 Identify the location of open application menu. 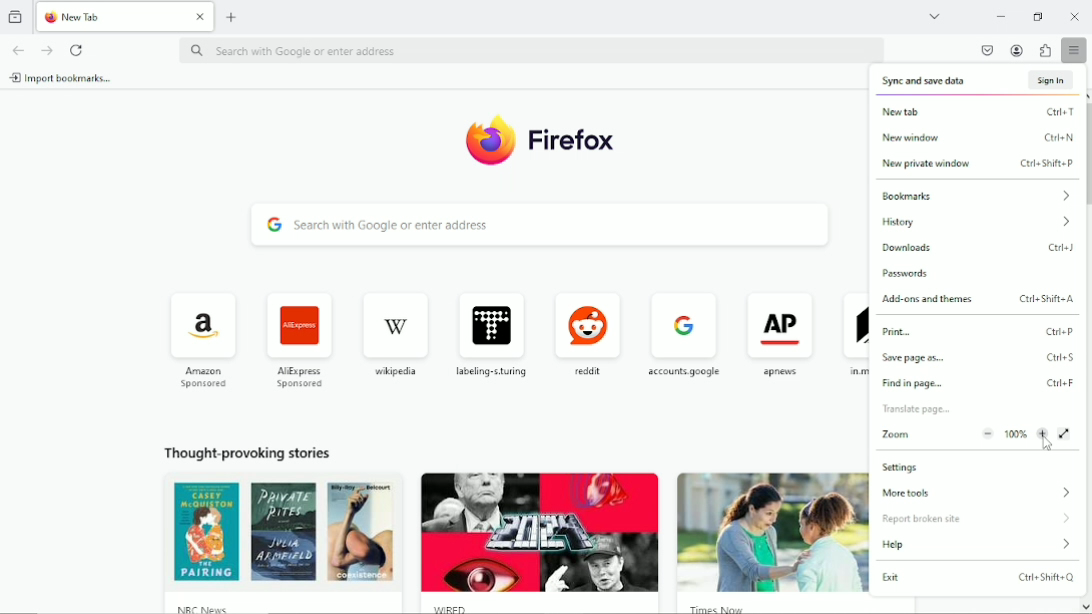
(1075, 51).